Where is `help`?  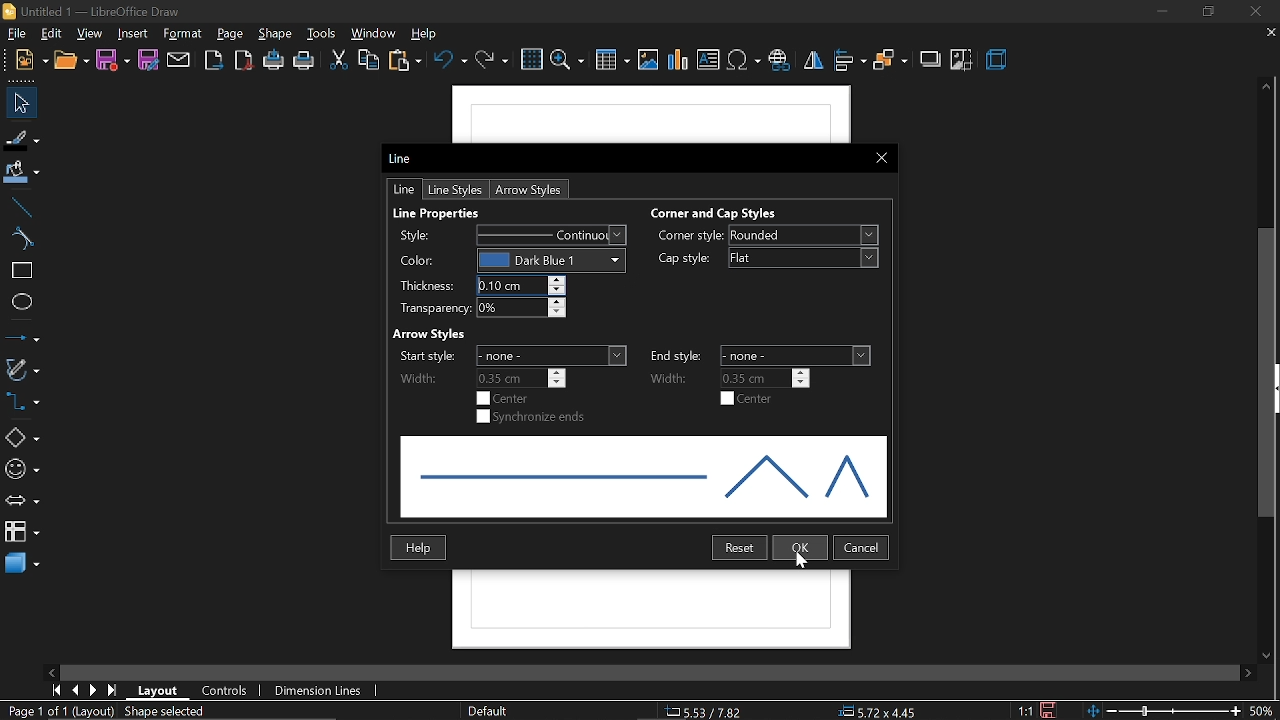
help is located at coordinates (421, 547).